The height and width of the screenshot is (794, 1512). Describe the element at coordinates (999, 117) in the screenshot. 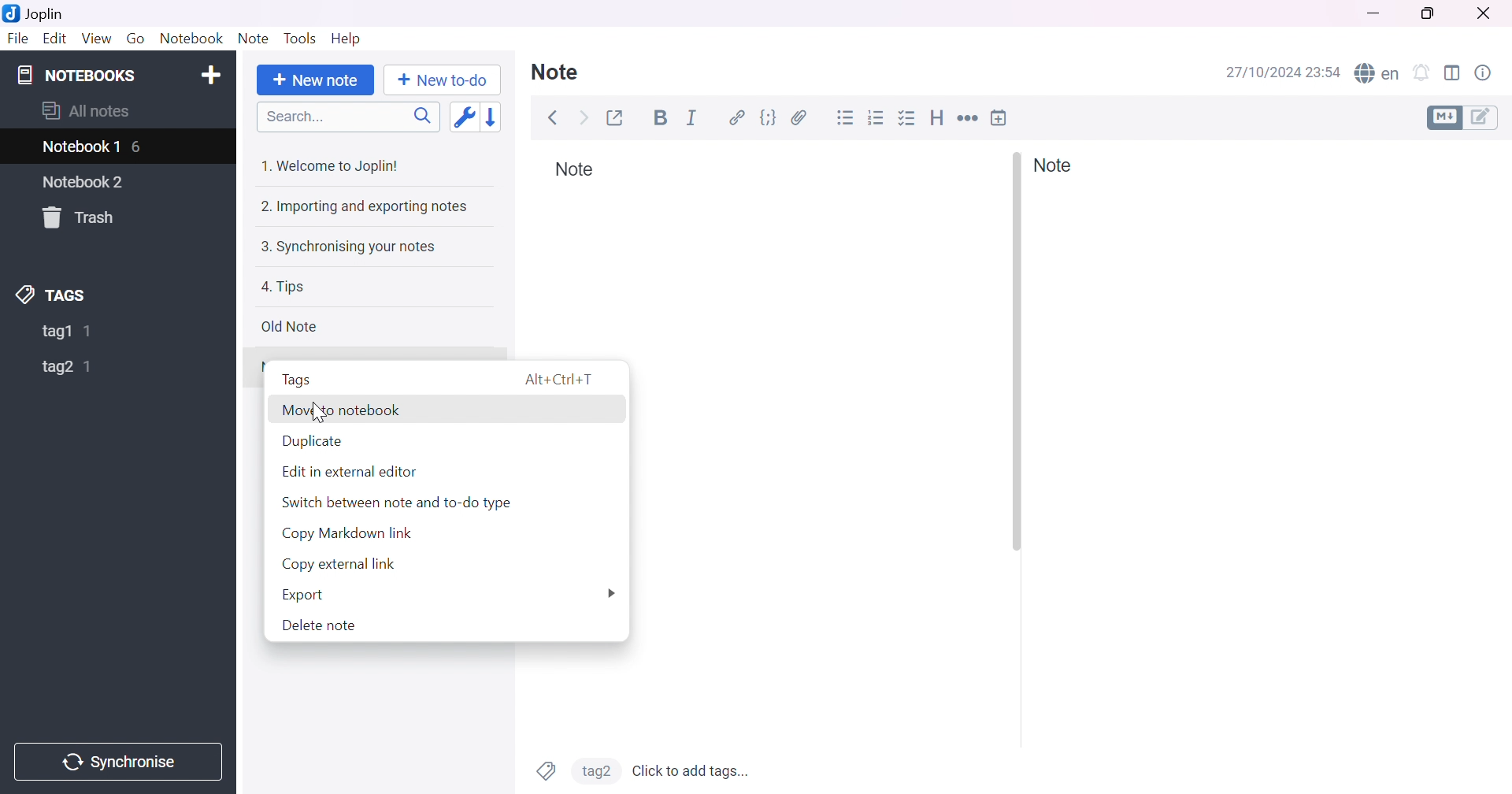

I see `Insert time` at that location.